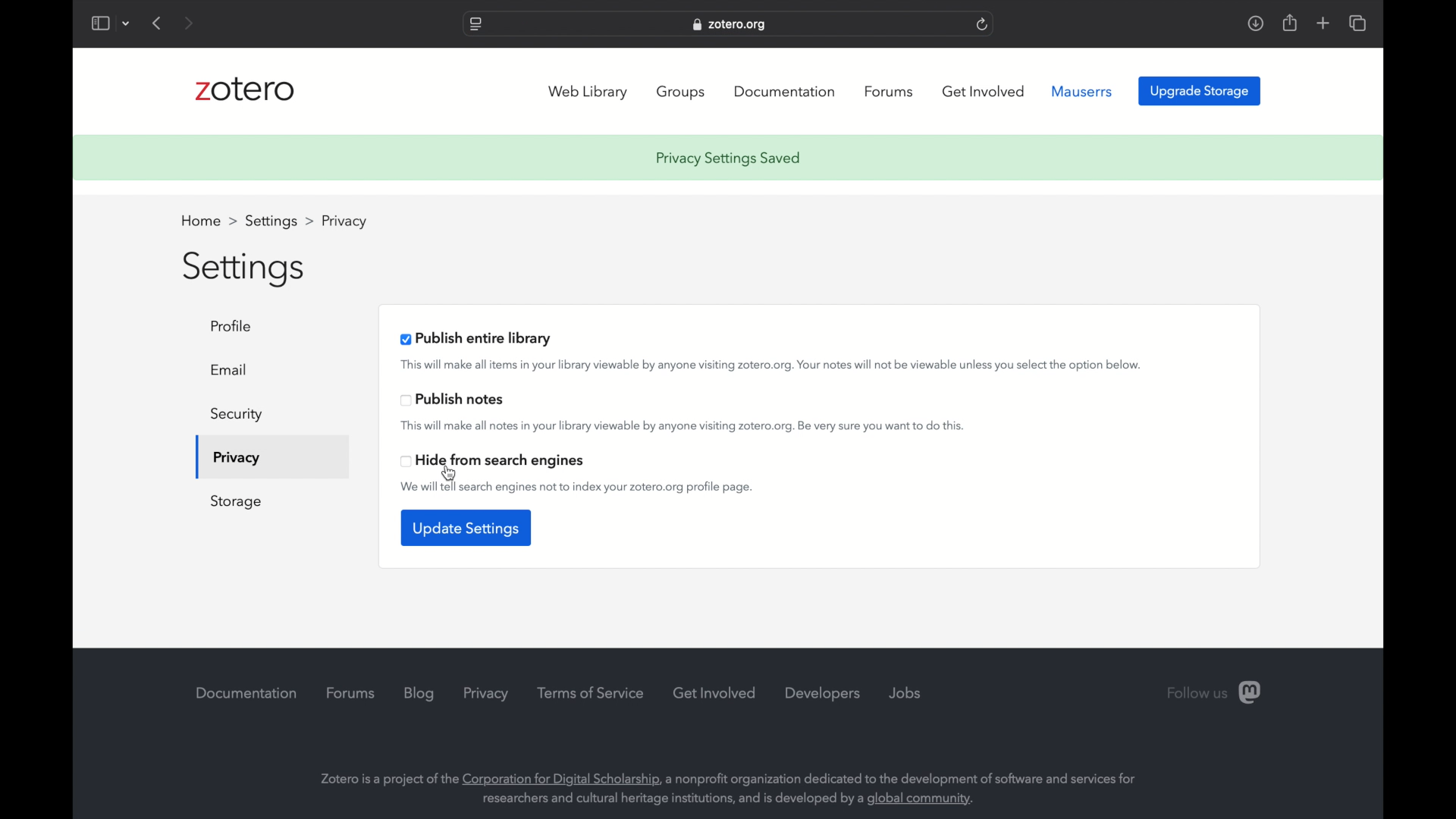  Describe the element at coordinates (770, 366) in the screenshot. I see `This will make all items in your library viewable` at that location.